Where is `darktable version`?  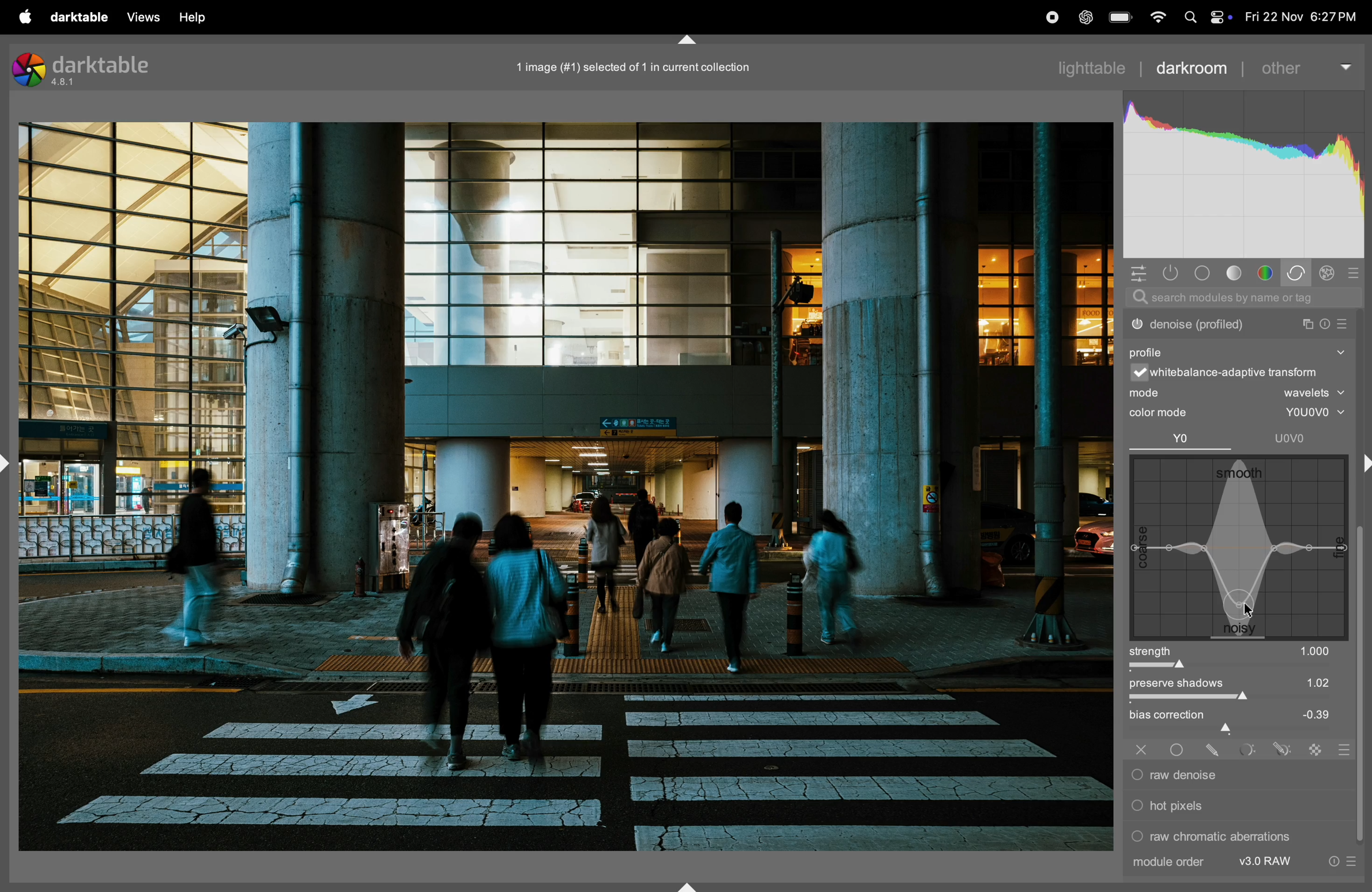 darktable version is located at coordinates (96, 66).